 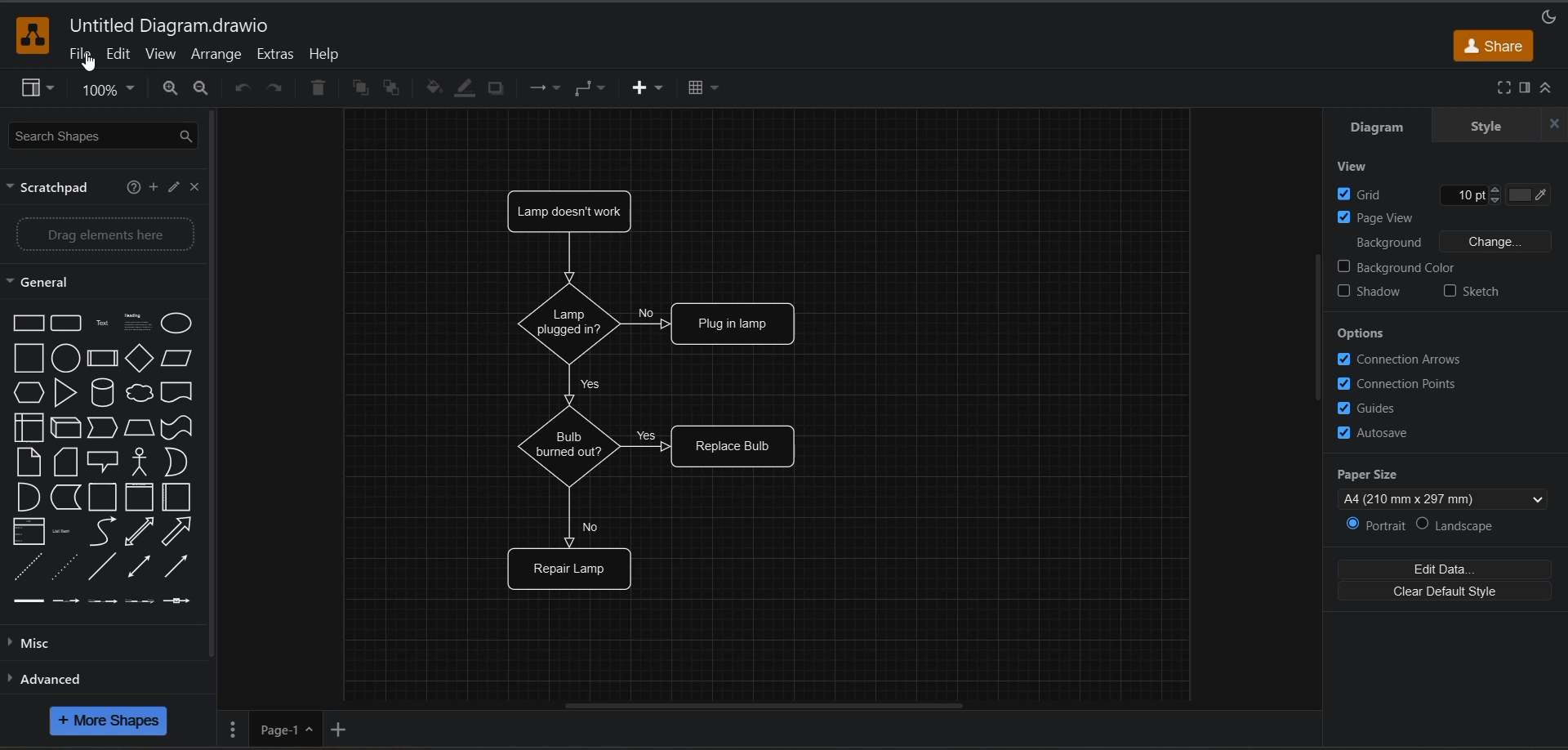 I want to click on general, so click(x=87, y=281).